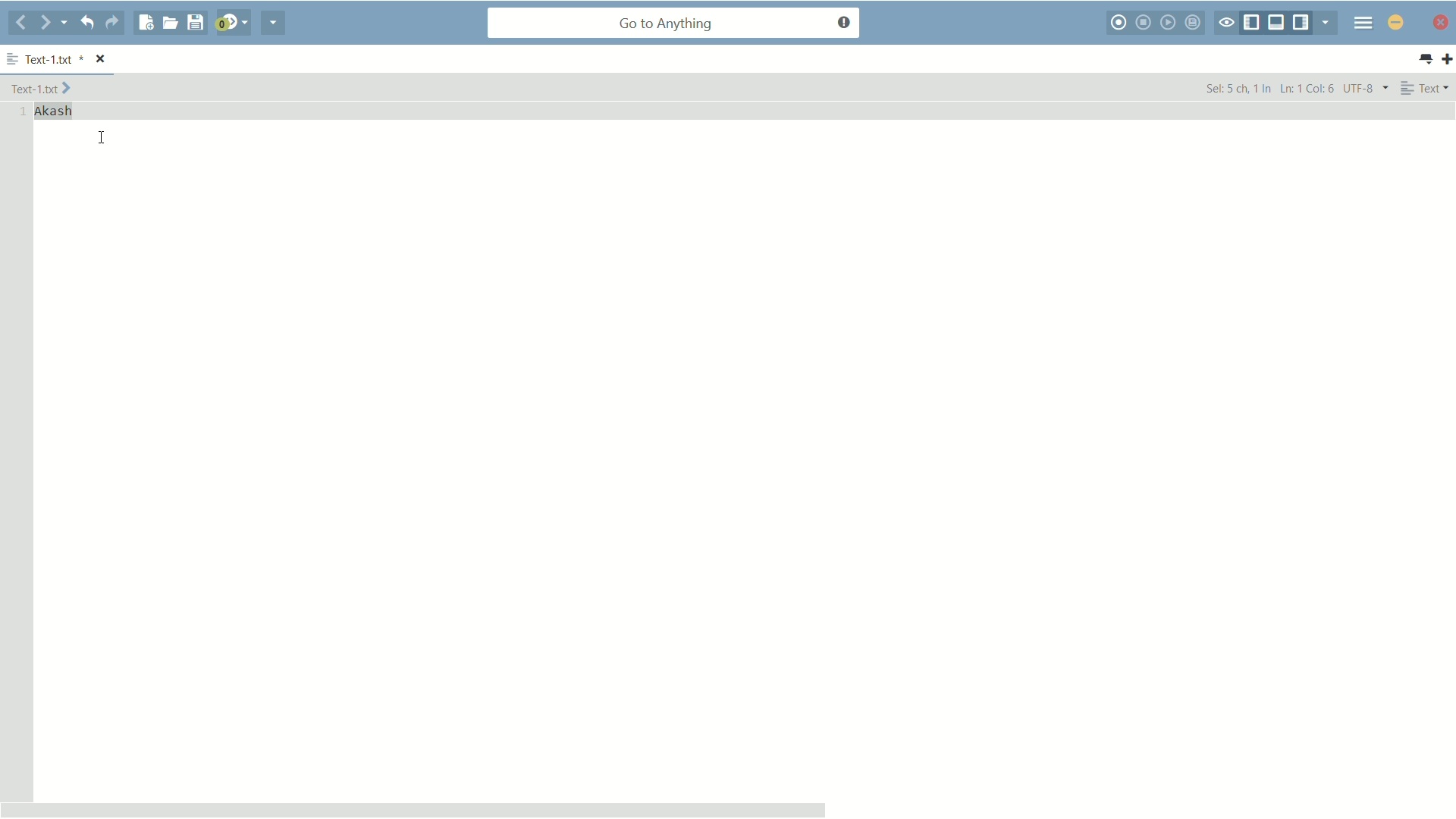  What do you see at coordinates (1226, 24) in the screenshot?
I see `toggle focus mode` at bounding box center [1226, 24].